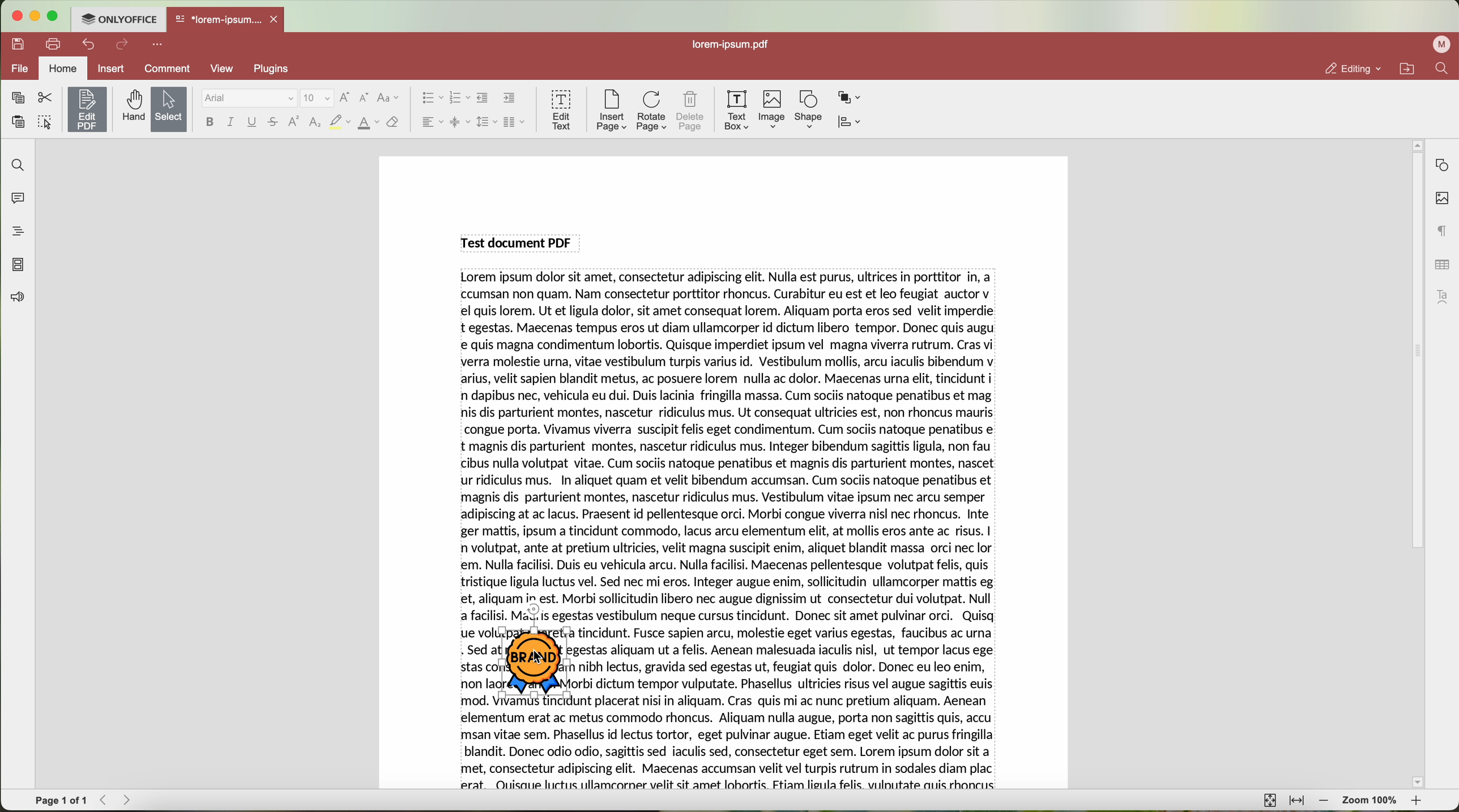  Describe the element at coordinates (54, 43) in the screenshot. I see `print` at that location.